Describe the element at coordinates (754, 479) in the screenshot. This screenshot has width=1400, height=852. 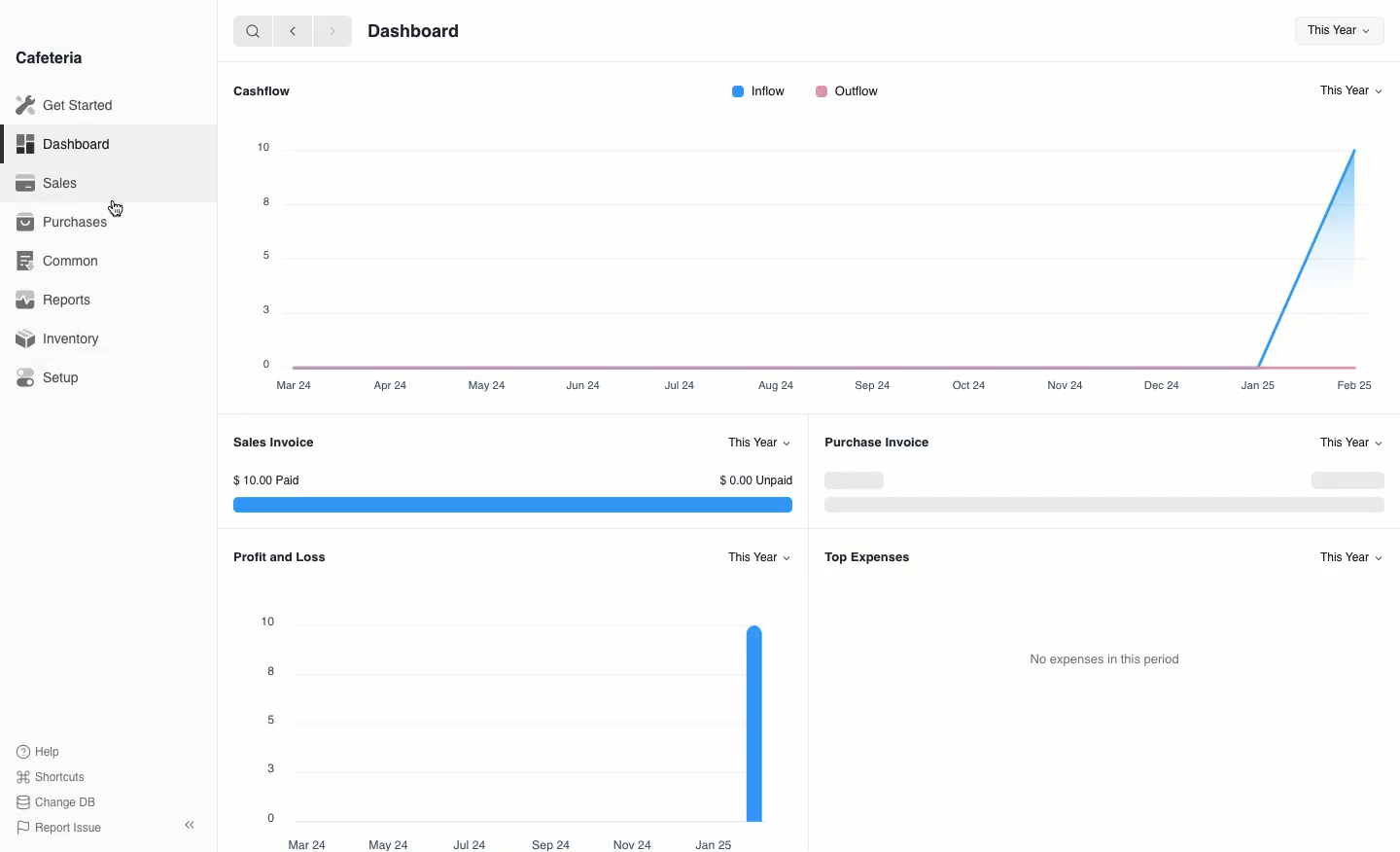
I see `$0.00 Unpaid` at that location.